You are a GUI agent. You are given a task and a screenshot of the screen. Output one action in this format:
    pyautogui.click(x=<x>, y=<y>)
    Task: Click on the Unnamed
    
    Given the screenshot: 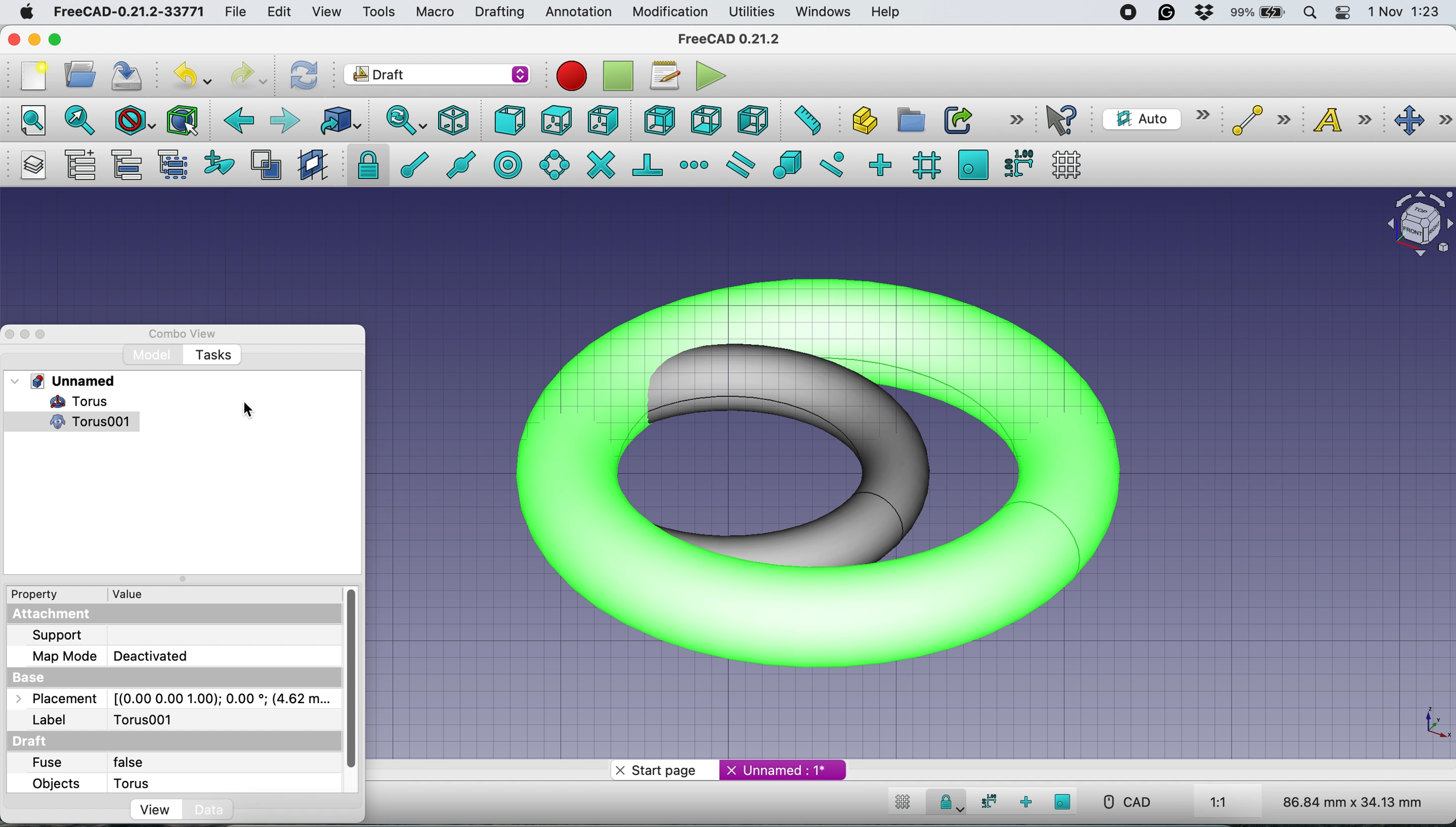 What is the action you would take?
    pyautogui.click(x=68, y=380)
    